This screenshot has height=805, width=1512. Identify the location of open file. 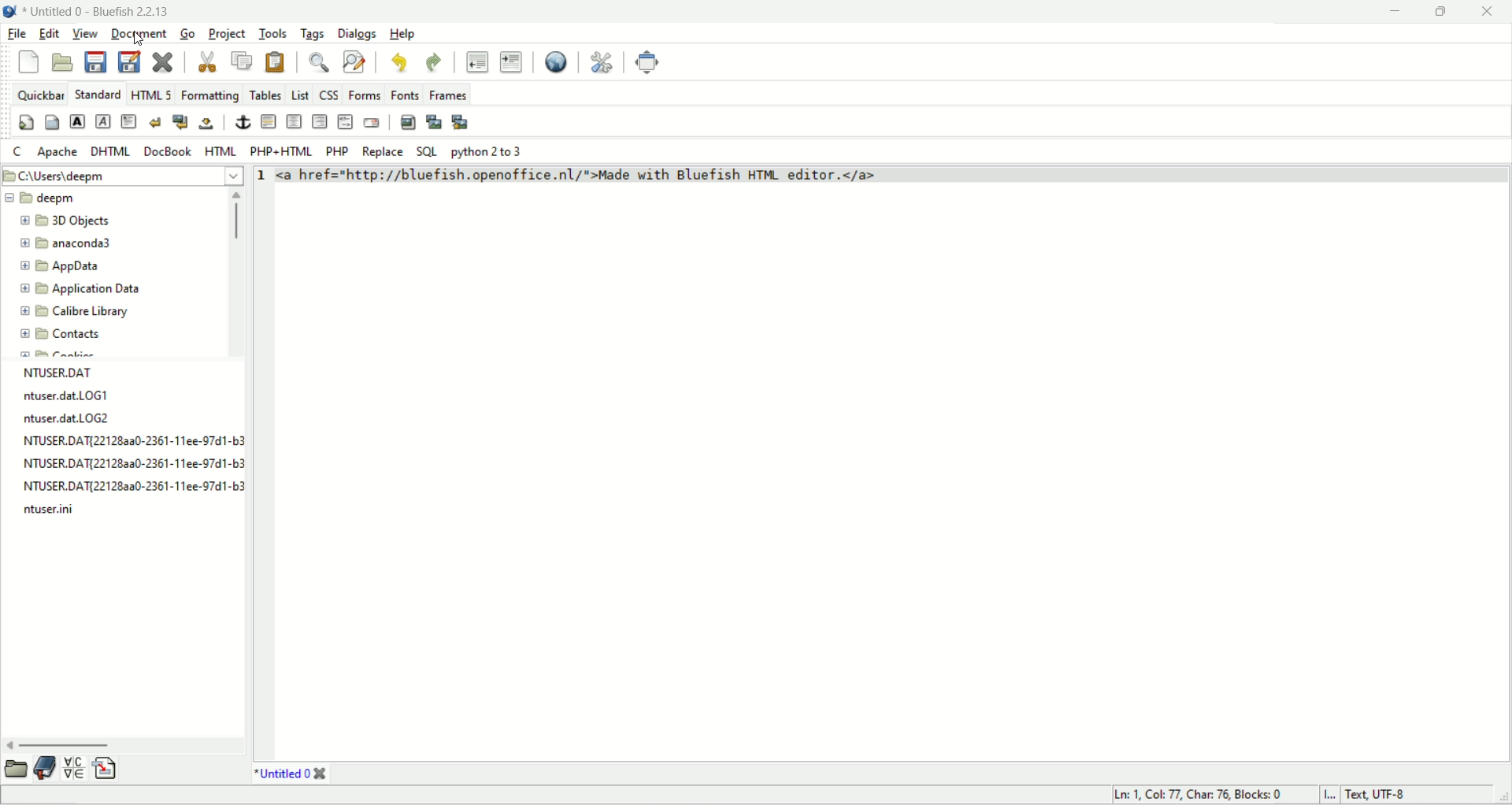
(61, 63).